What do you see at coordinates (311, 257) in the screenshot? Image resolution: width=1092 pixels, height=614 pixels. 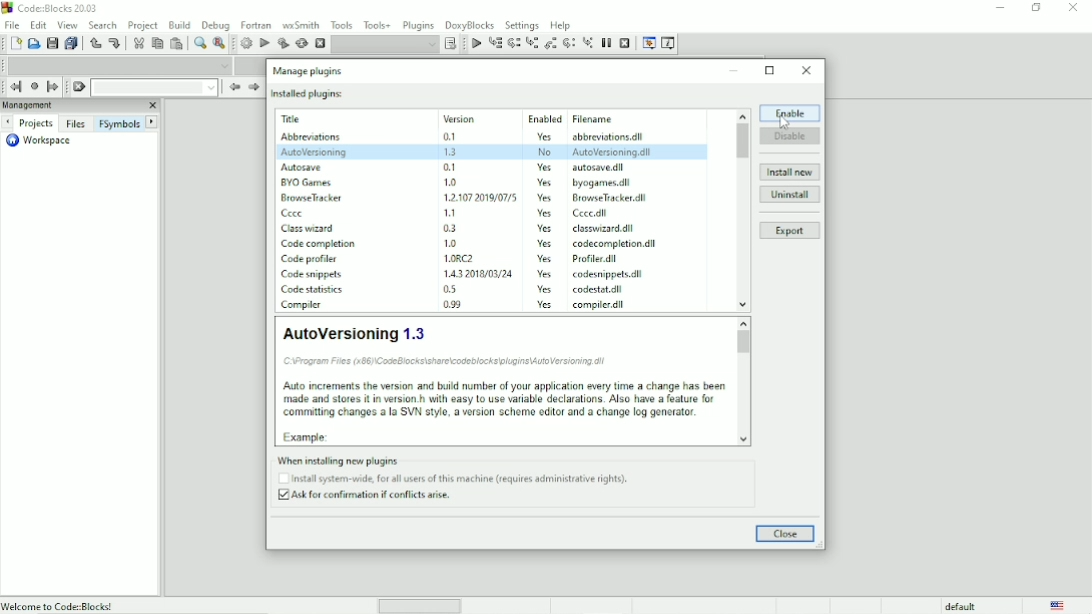 I see `plugin` at bounding box center [311, 257].